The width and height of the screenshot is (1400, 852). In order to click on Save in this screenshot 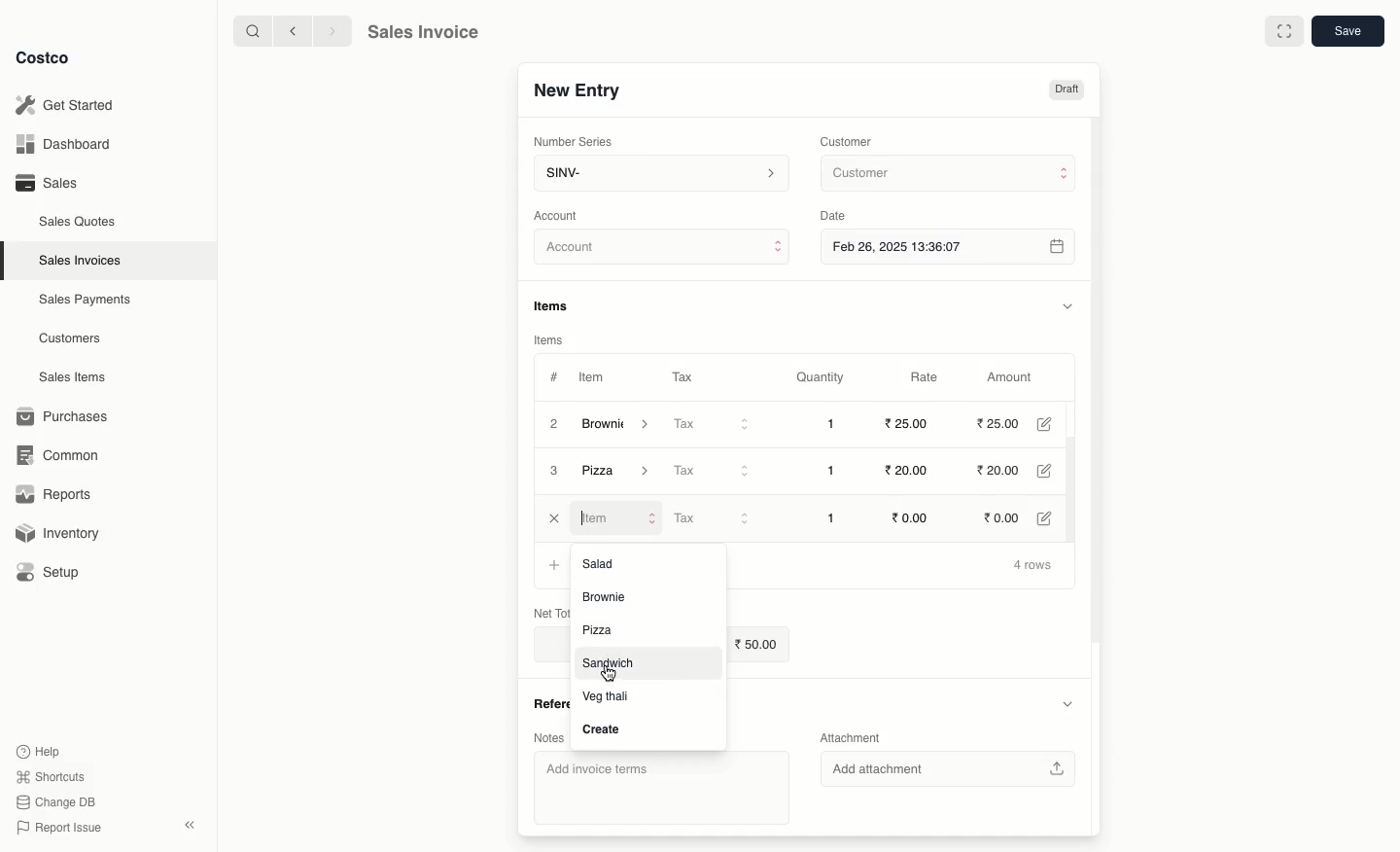, I will do `click(1350, 33)`.